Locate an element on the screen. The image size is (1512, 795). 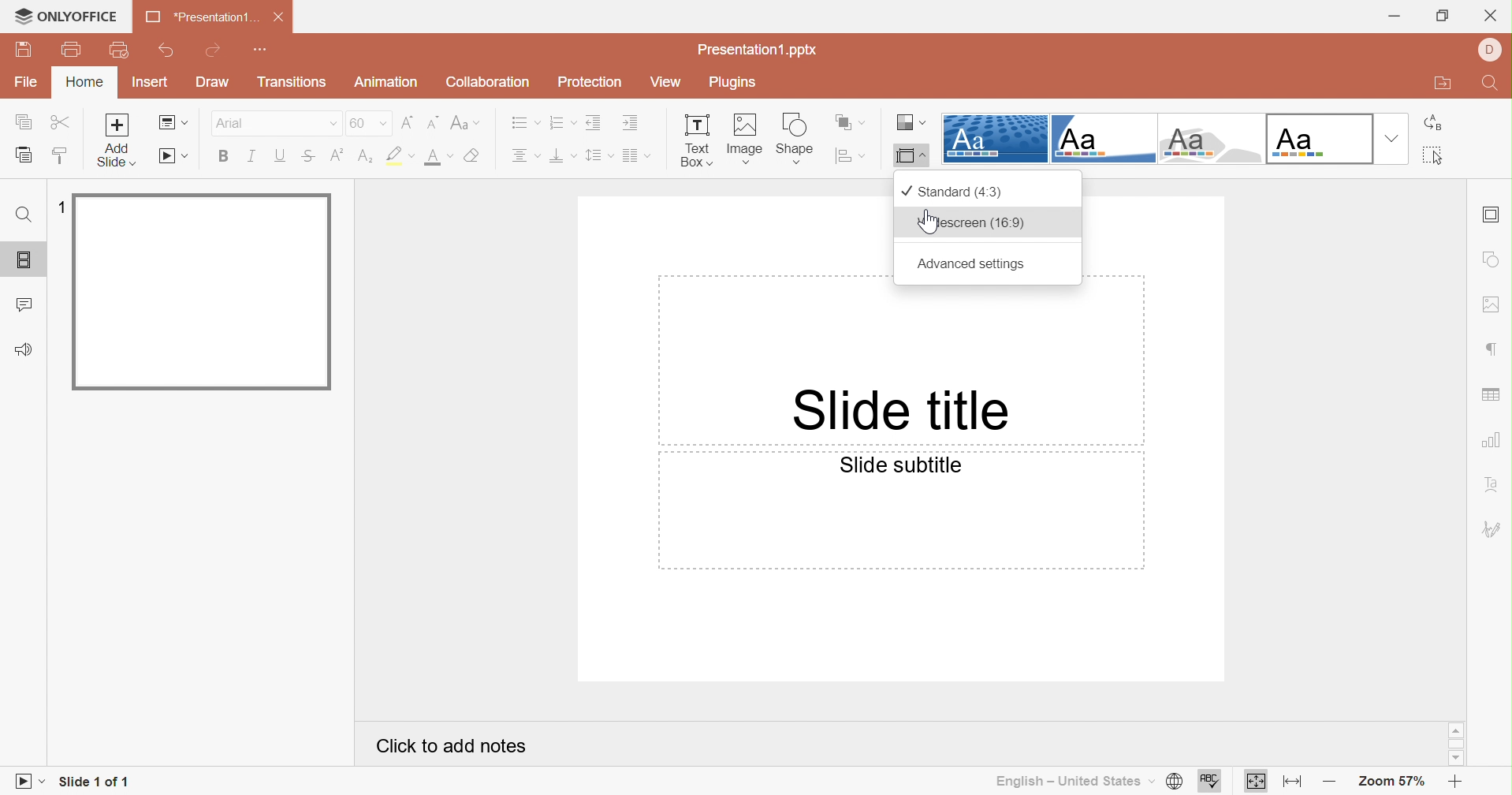
Quick print is located at coordinates (119, 48).